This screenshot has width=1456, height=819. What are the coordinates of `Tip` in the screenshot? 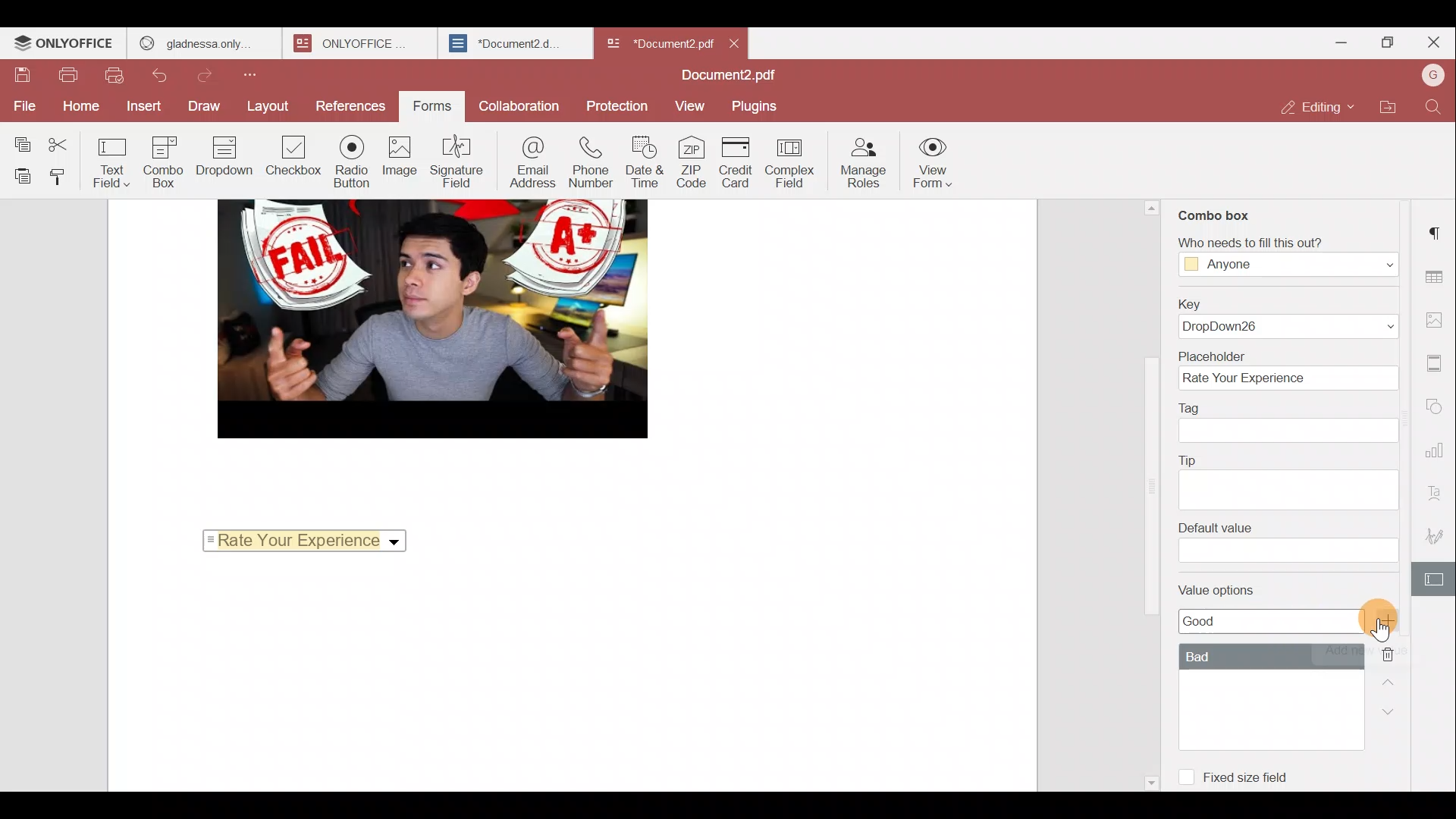 It's located at (1289, 479).